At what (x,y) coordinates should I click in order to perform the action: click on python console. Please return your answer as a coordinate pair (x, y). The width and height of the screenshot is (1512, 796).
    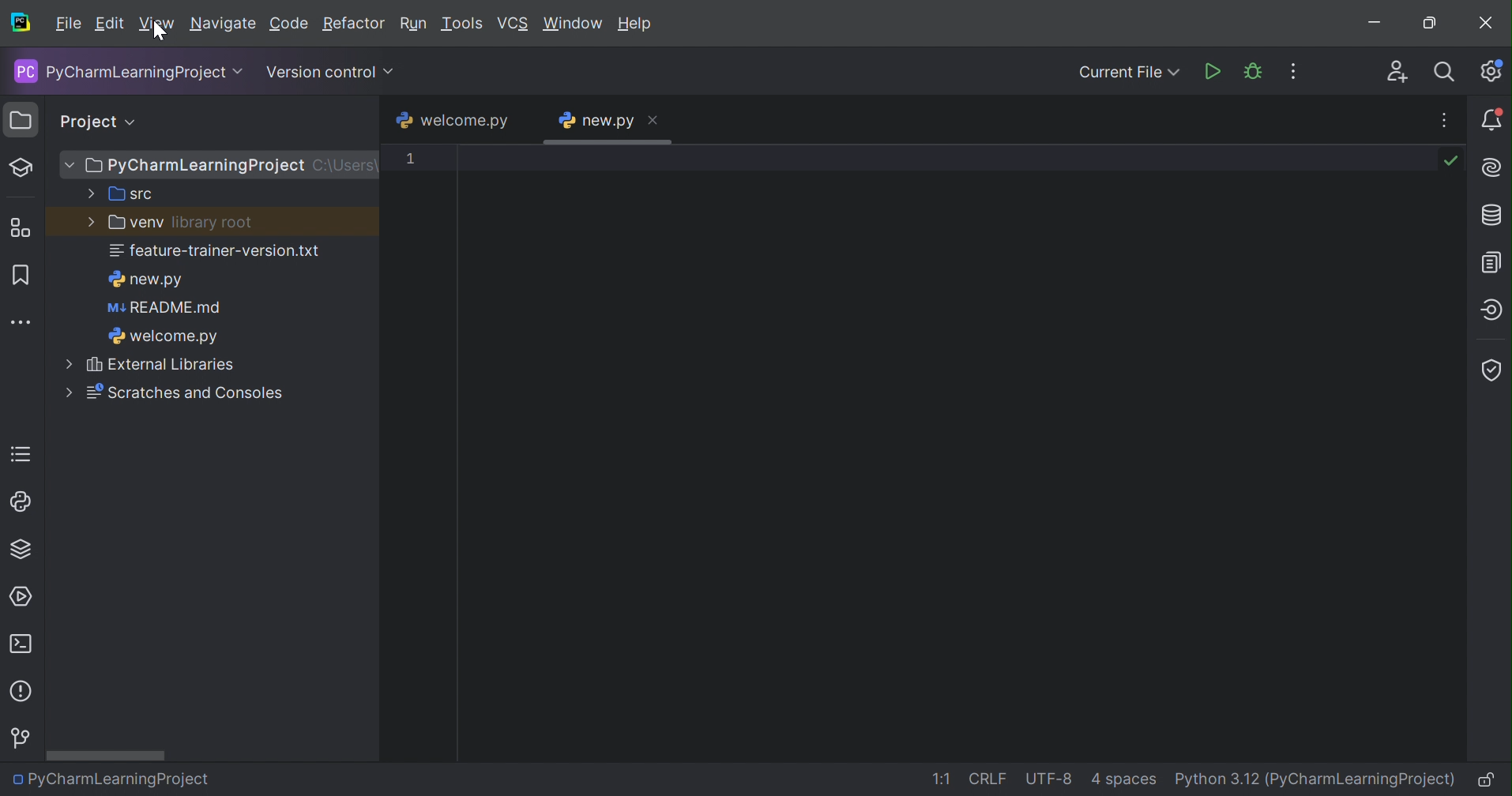
    Looking at the image, I should click on (21, 502).